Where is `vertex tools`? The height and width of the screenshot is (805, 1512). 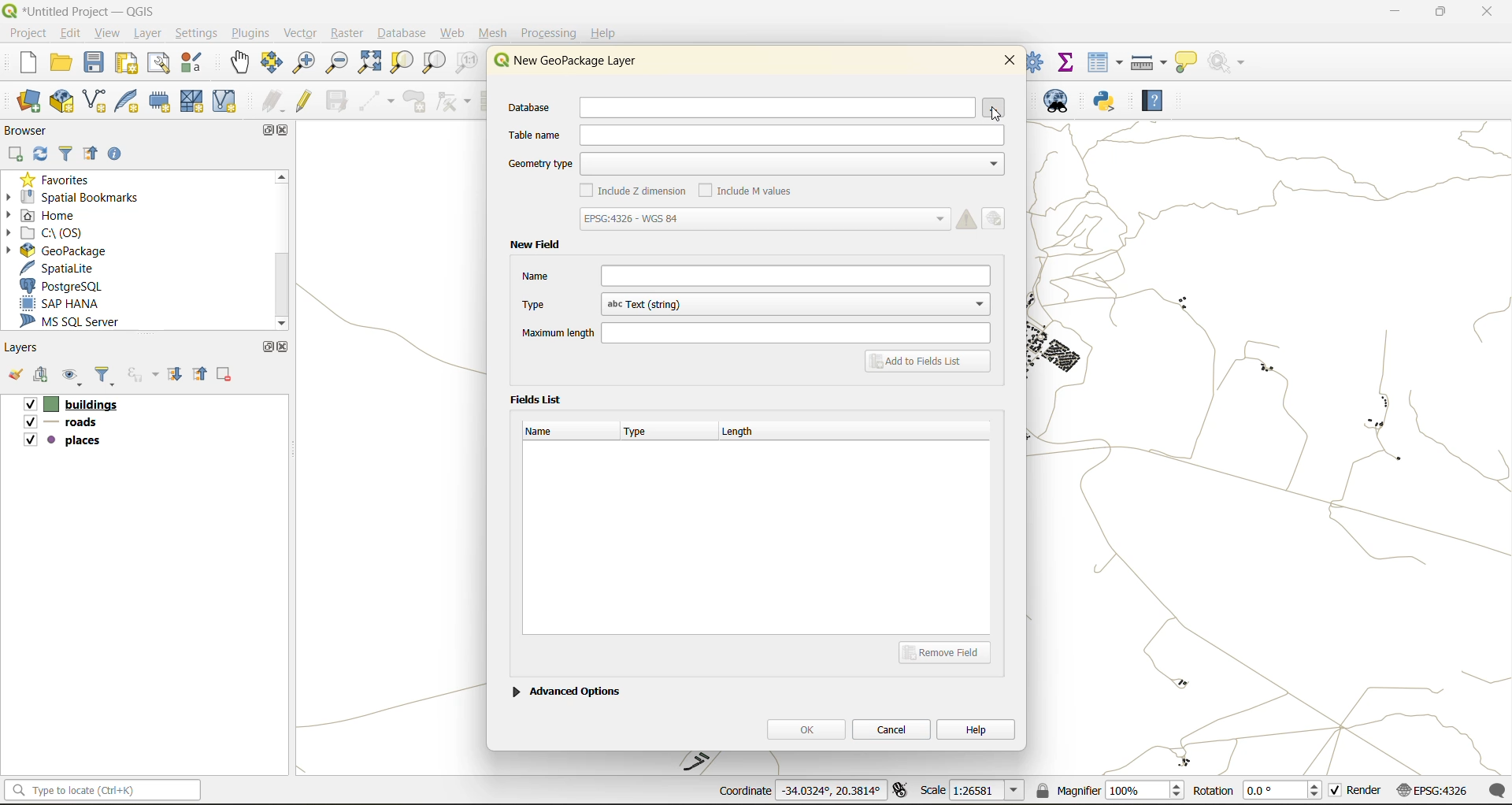
vertex tools is located at coordinates (454, 102).